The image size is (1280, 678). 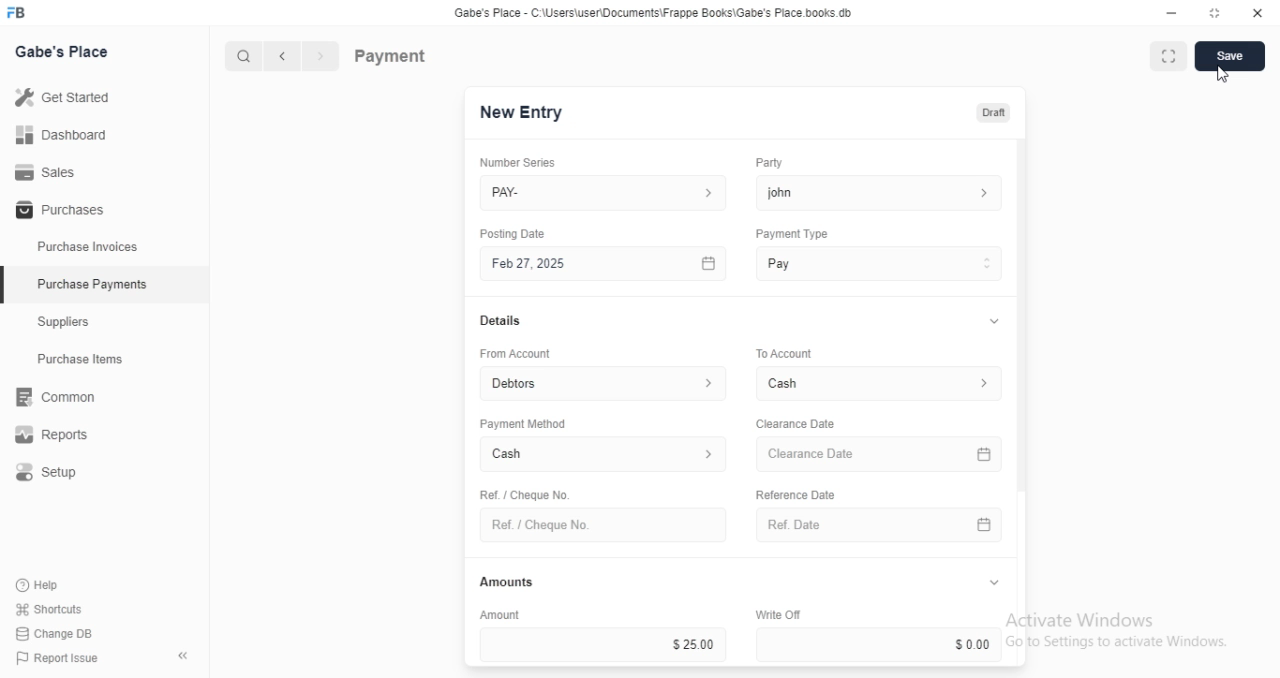 What do you see at coordinates (66, 53) in the screenshot?
I see `Gabe's Place` at bounding box center [66, 53].